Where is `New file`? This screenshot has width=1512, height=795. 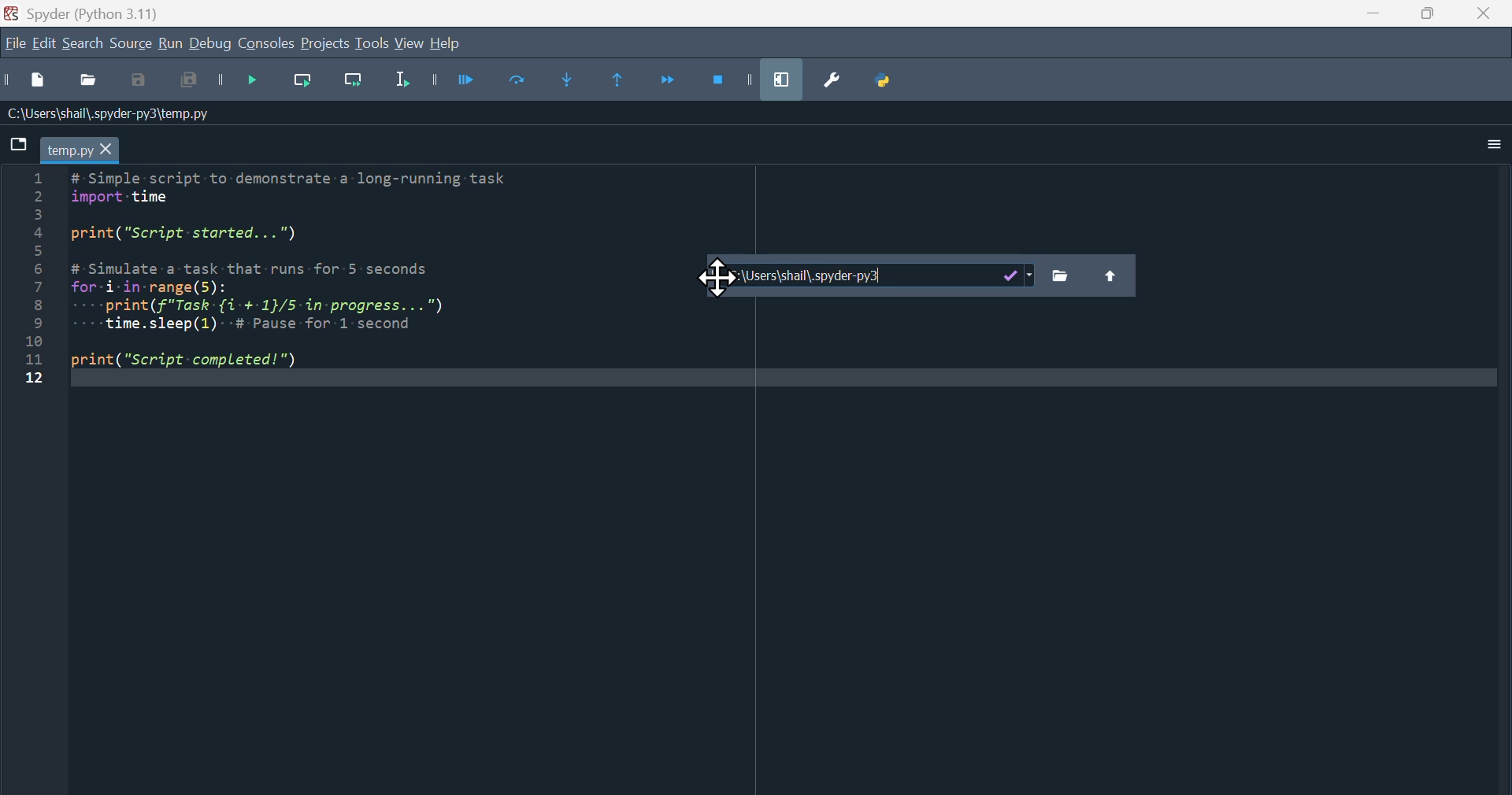 New file is located at coordinates (28, 85).